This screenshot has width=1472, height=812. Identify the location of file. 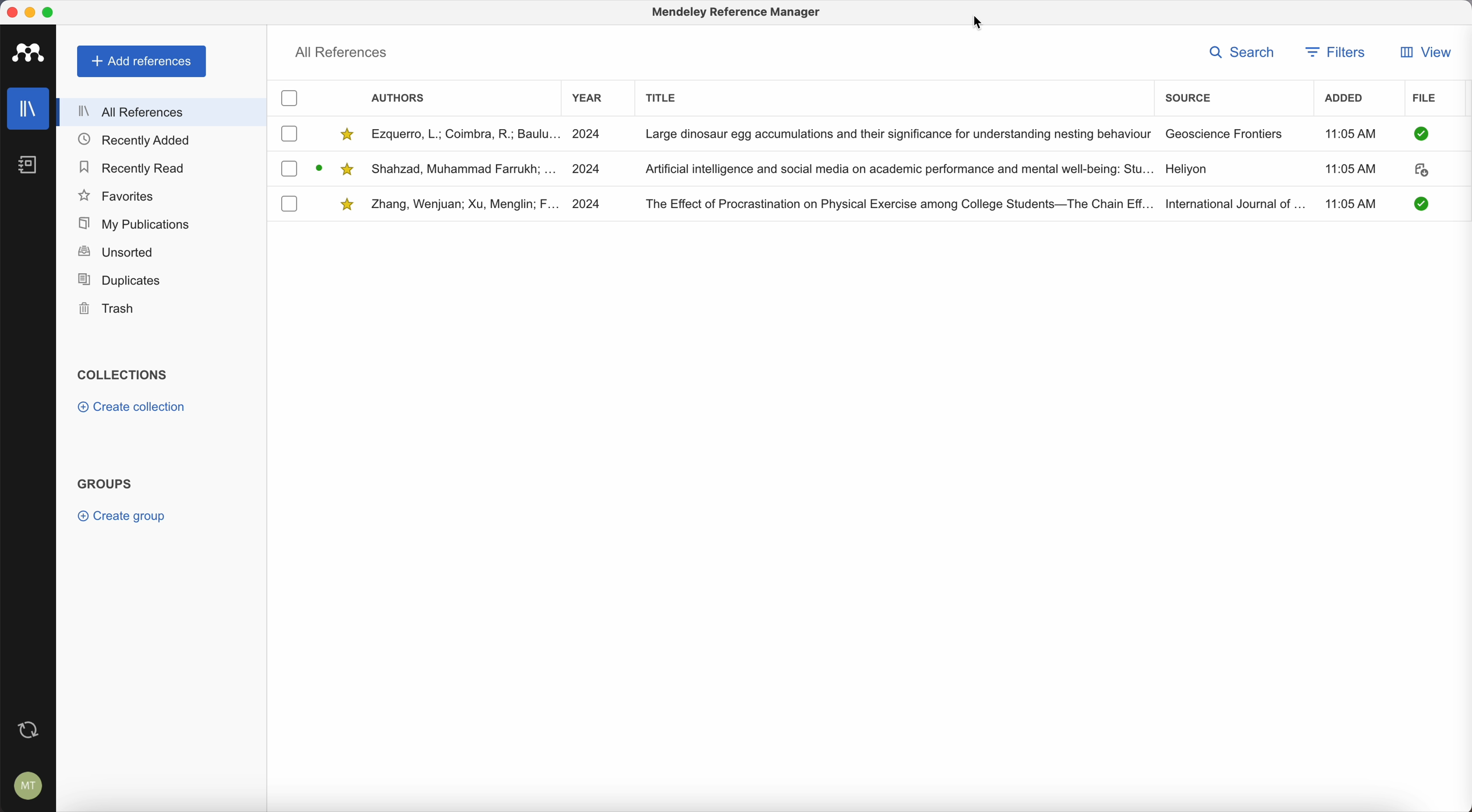
(1426, 99).